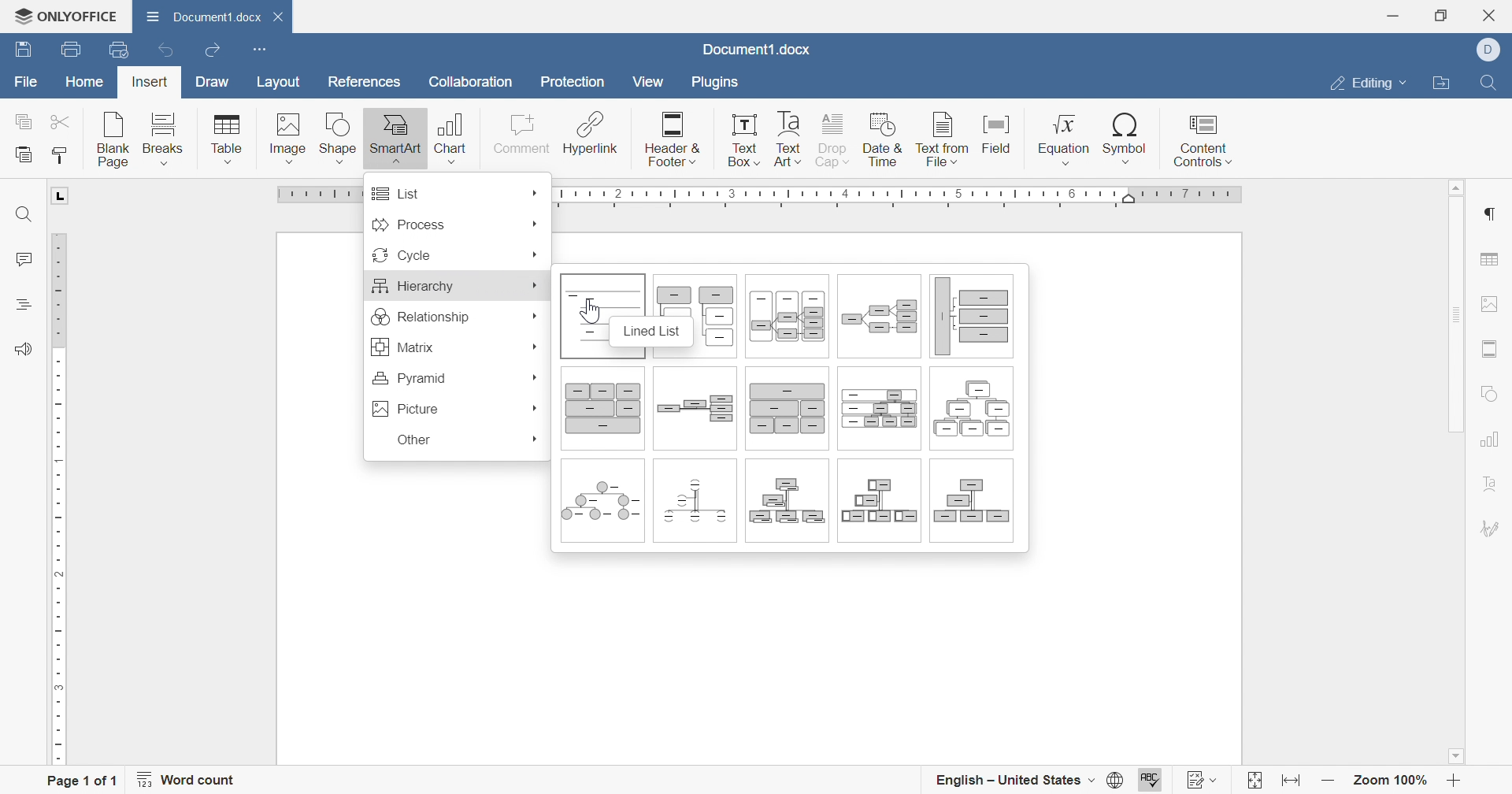 Image resolution: width=1512 pixels, height=794 pixels. Describe the element at coordinates (1064, 139) in the screenshot. I see `Equation` at that location.